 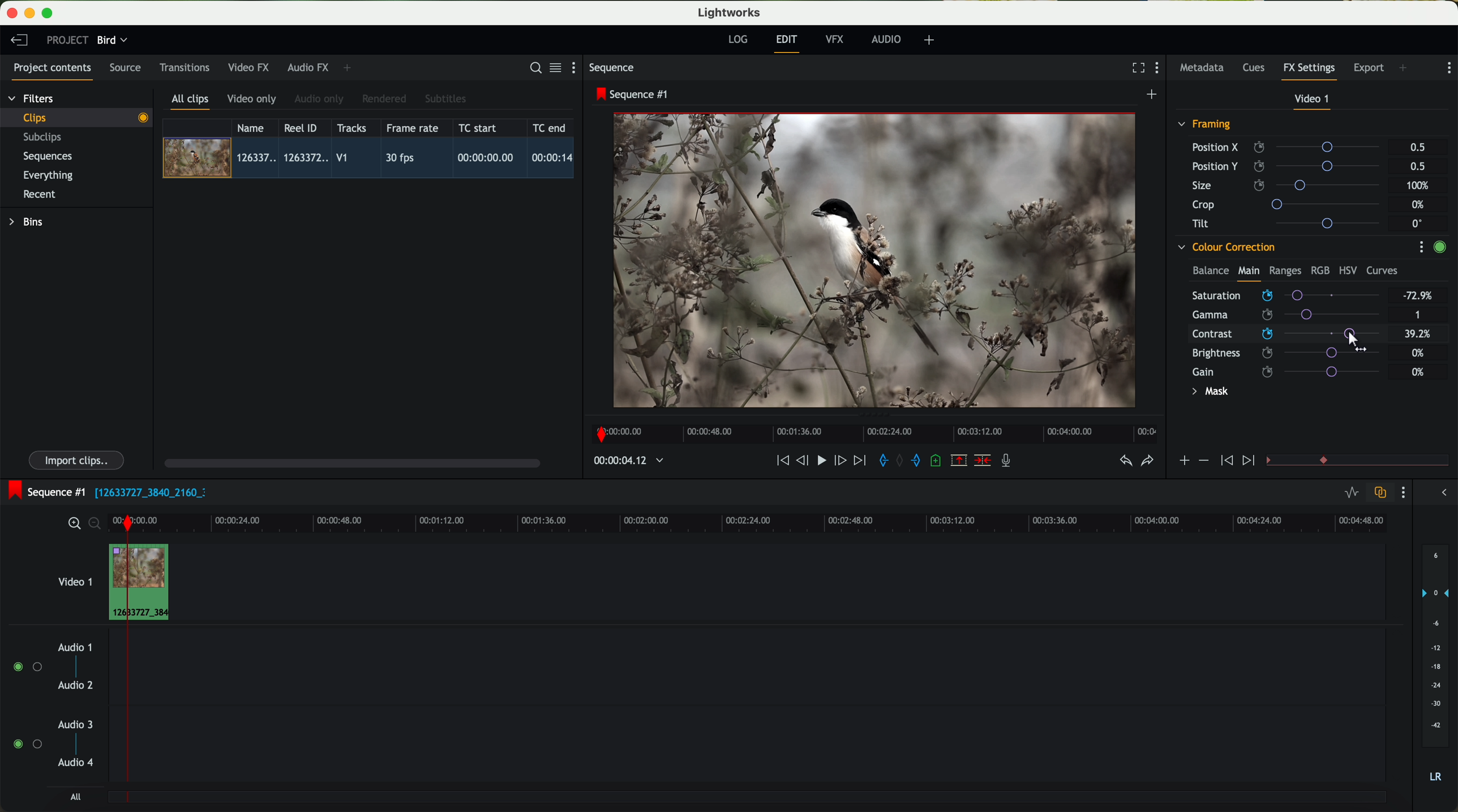 What do you see at coordinates (32, 14) in the screenshot?
I see `minimize program` at bounding box center [32, 14].